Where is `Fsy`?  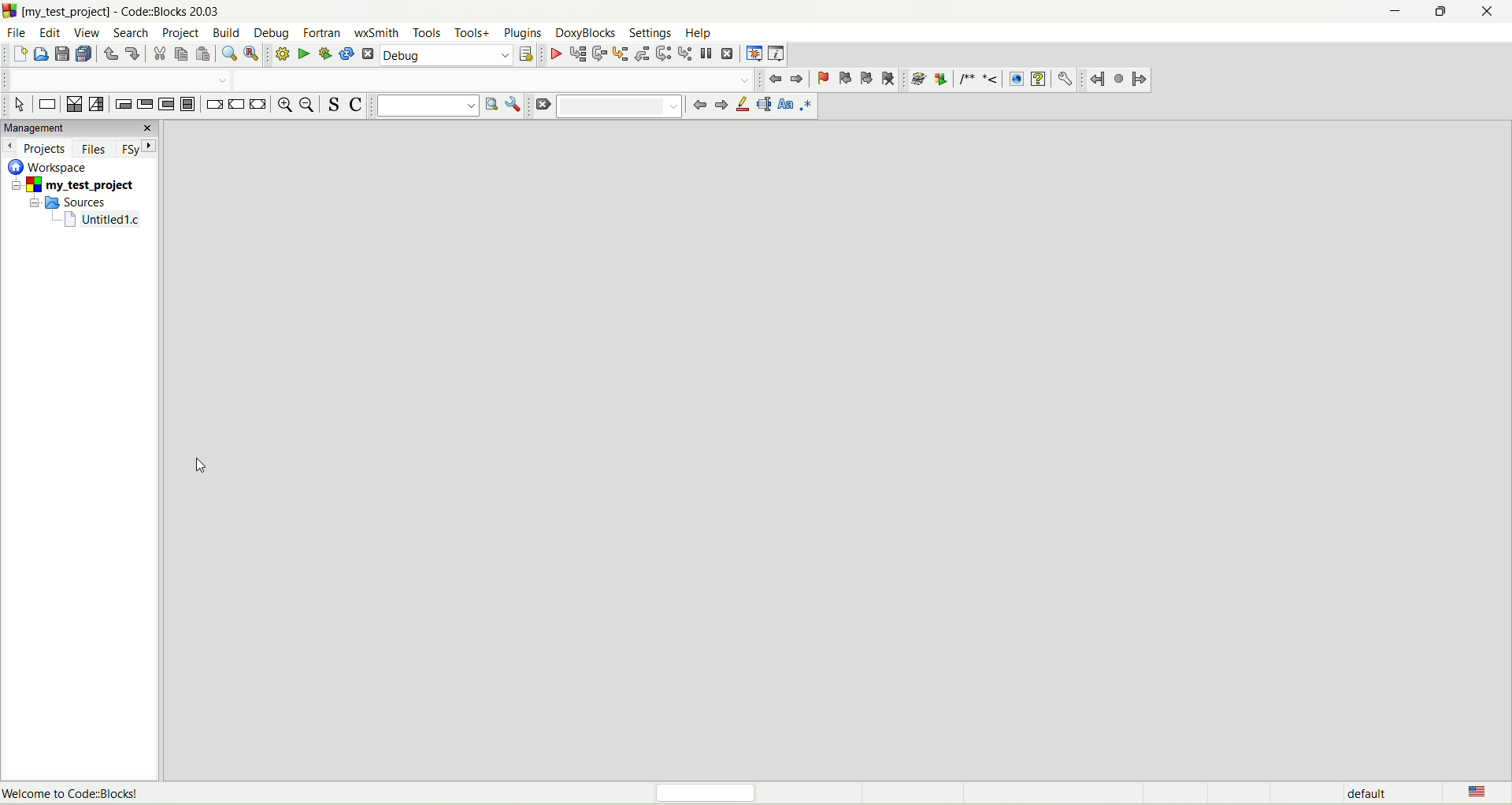 Fsy is located at coordinates (138, 149).